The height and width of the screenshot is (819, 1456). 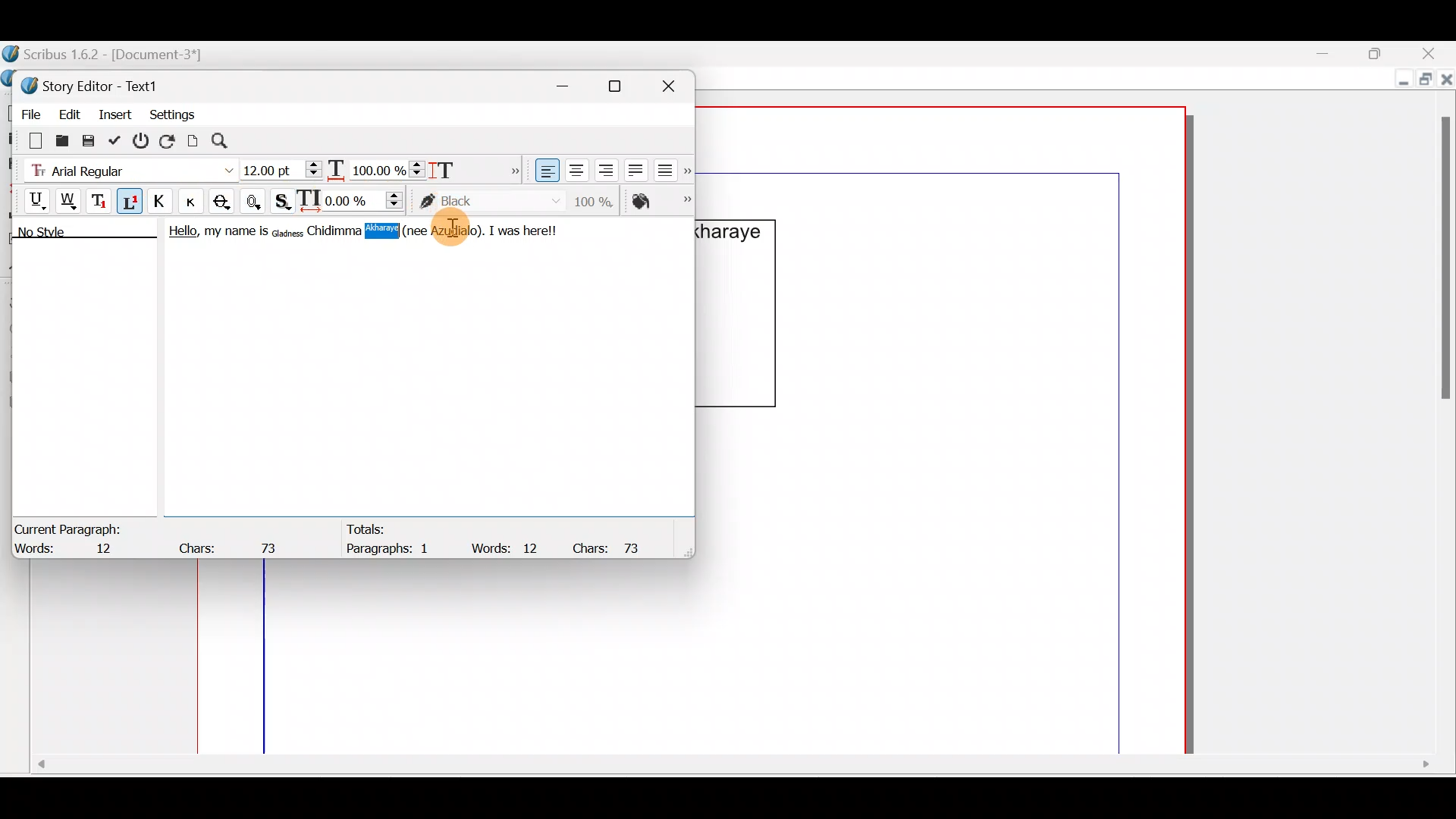 I want to click on Settings, so click(x=172, y=113).